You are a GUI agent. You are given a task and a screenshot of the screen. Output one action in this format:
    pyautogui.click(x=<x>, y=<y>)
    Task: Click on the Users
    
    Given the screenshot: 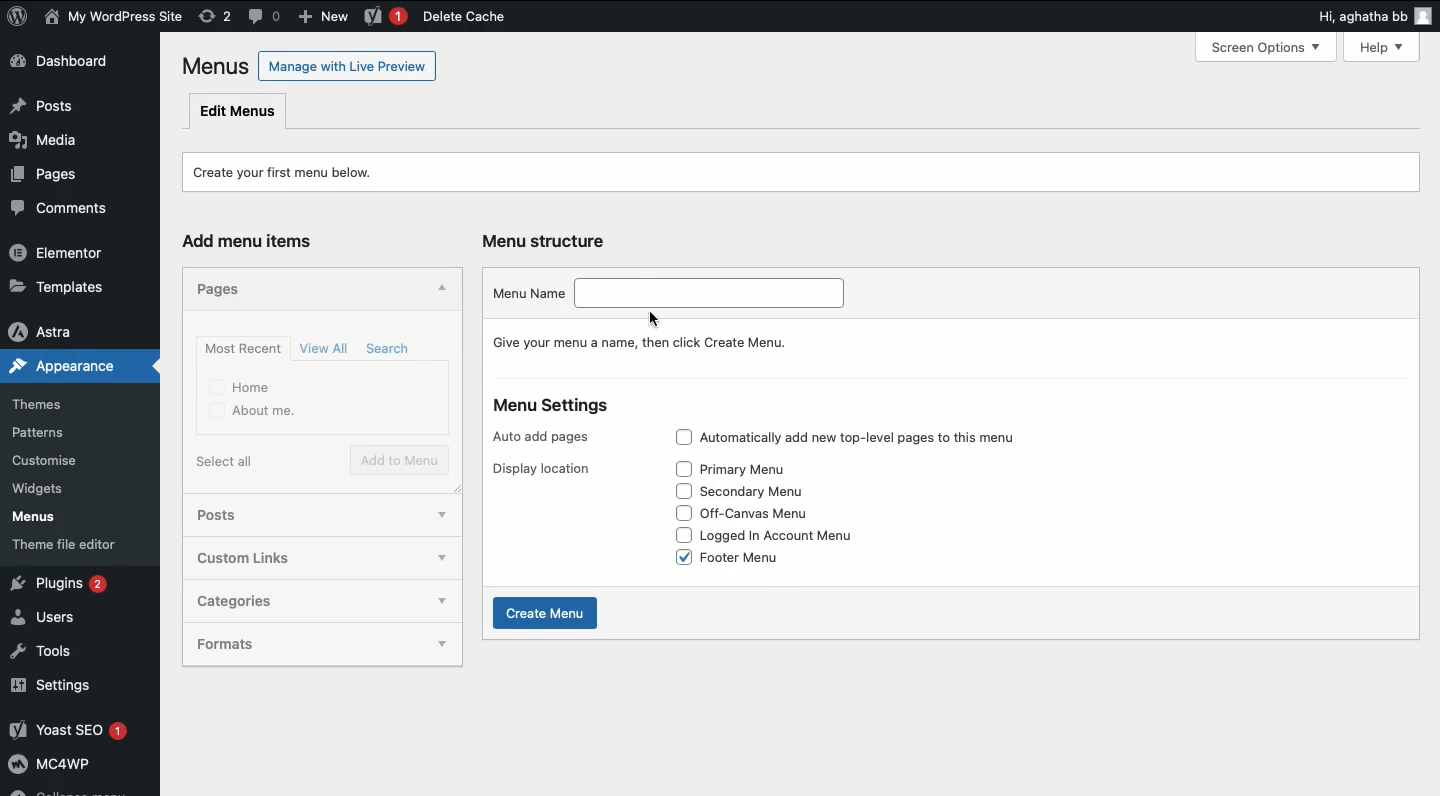 What is the action you would take?
    pyautogui.click(x=57, y=619)
    